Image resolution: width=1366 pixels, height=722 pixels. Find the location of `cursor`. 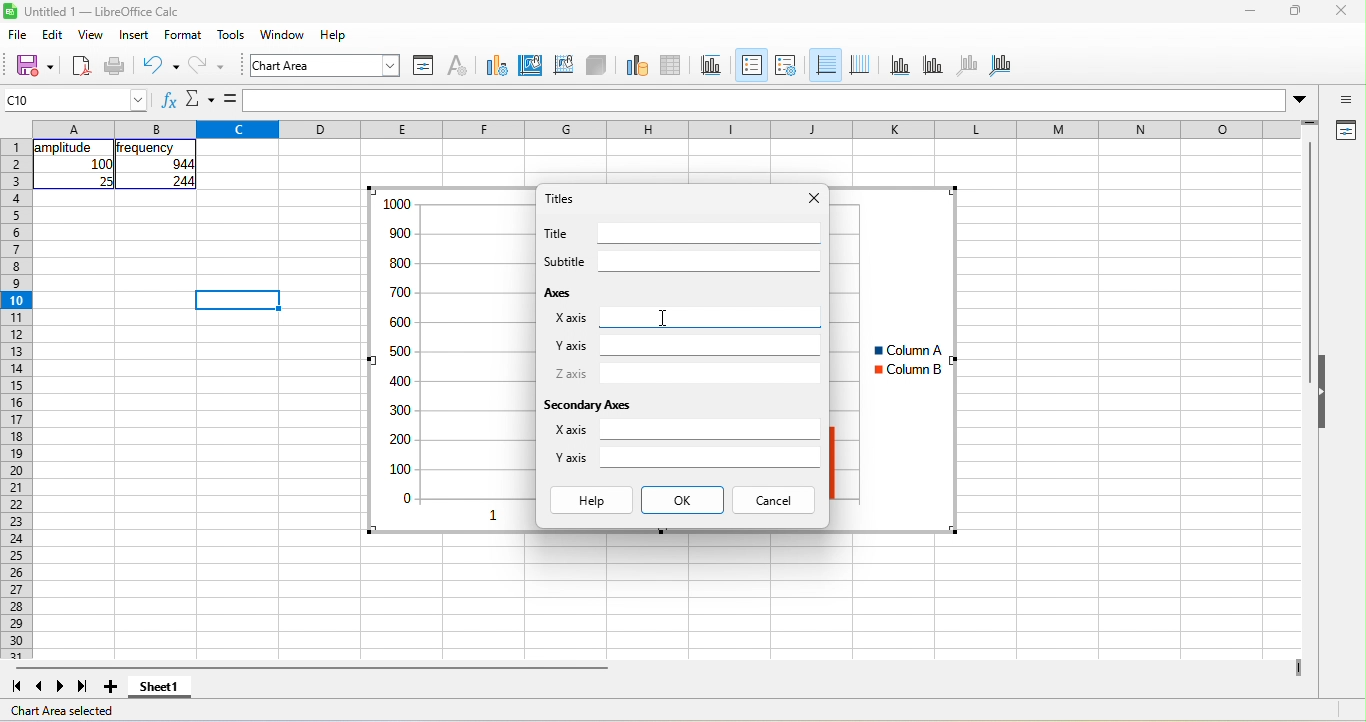

cursor is located at coordinates (663, 318).